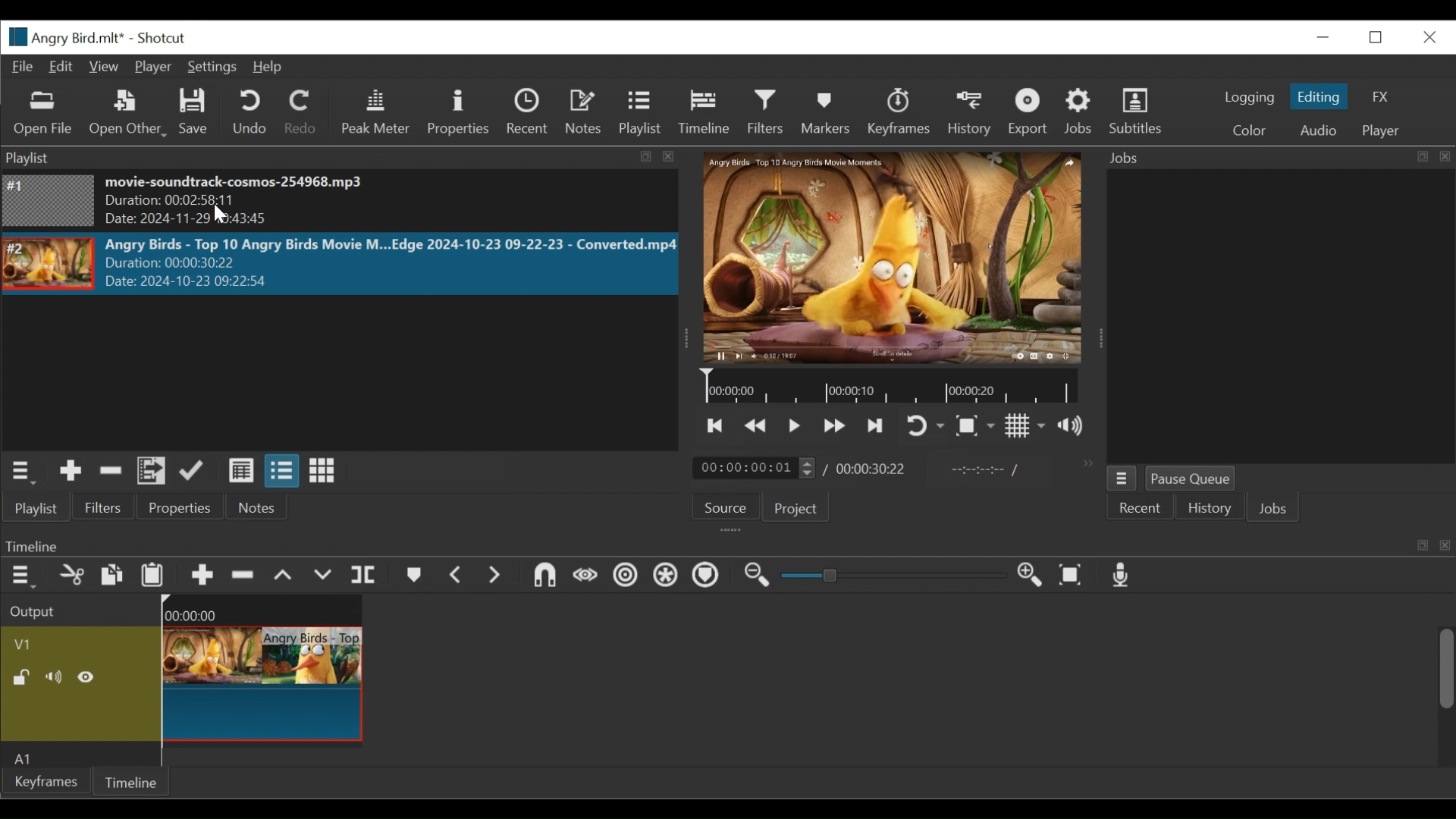 Image resolution: width=1456 pixels, height=819 pixels. What do you see at coordinates (1446, 686) in the screenshot?
I see `Scrollbar` at bounding box center [1446, 686].